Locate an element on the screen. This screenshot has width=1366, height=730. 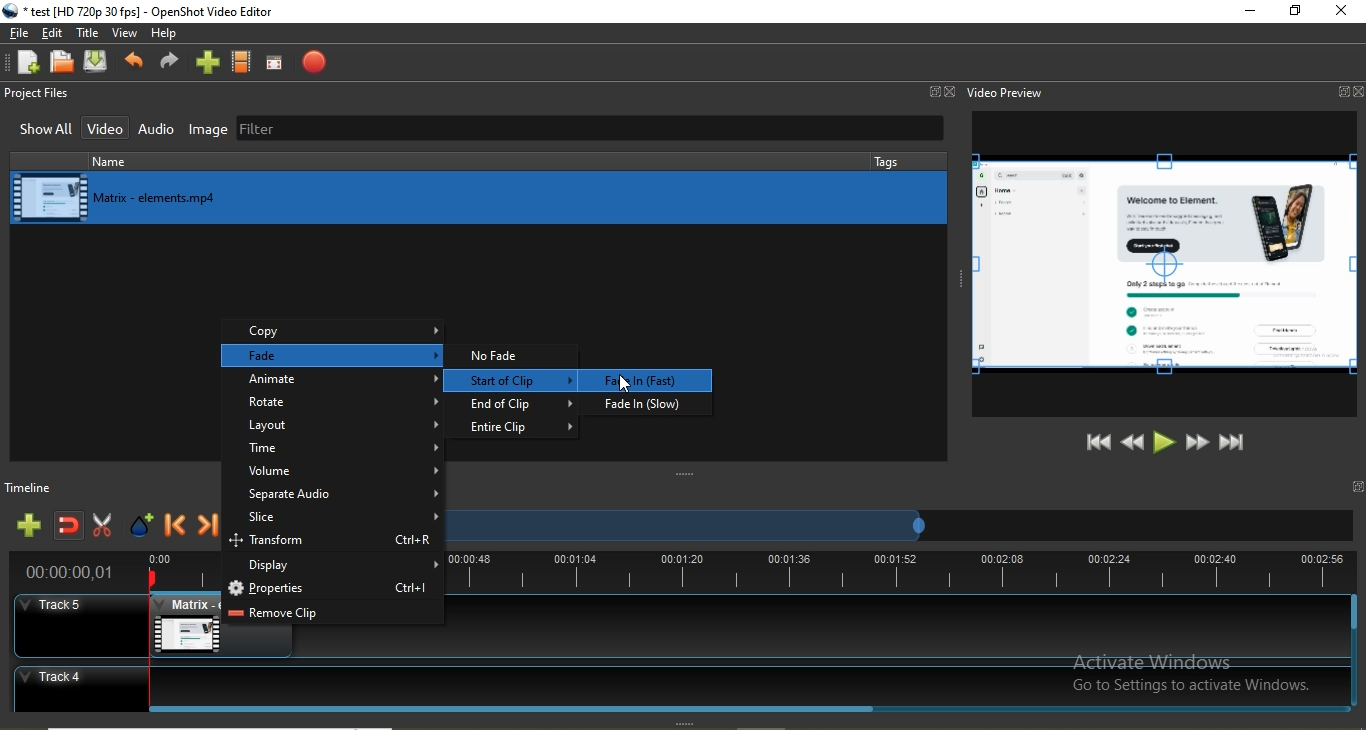
Fast forward is located at coordinates (1198, 443).